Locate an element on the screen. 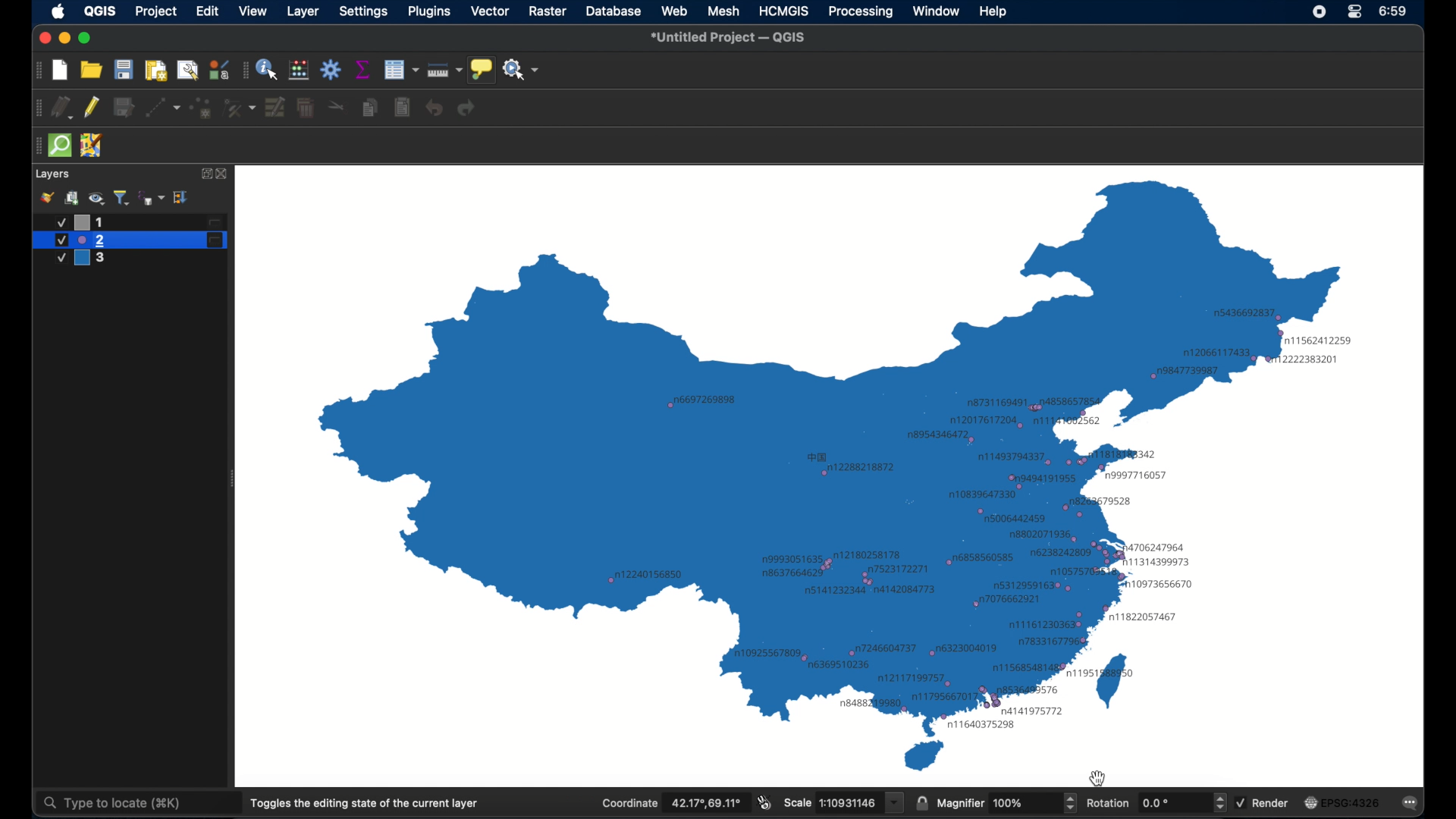 This screenshot has height=819, width=1456. QGIS is located at coordinates (102, 11).